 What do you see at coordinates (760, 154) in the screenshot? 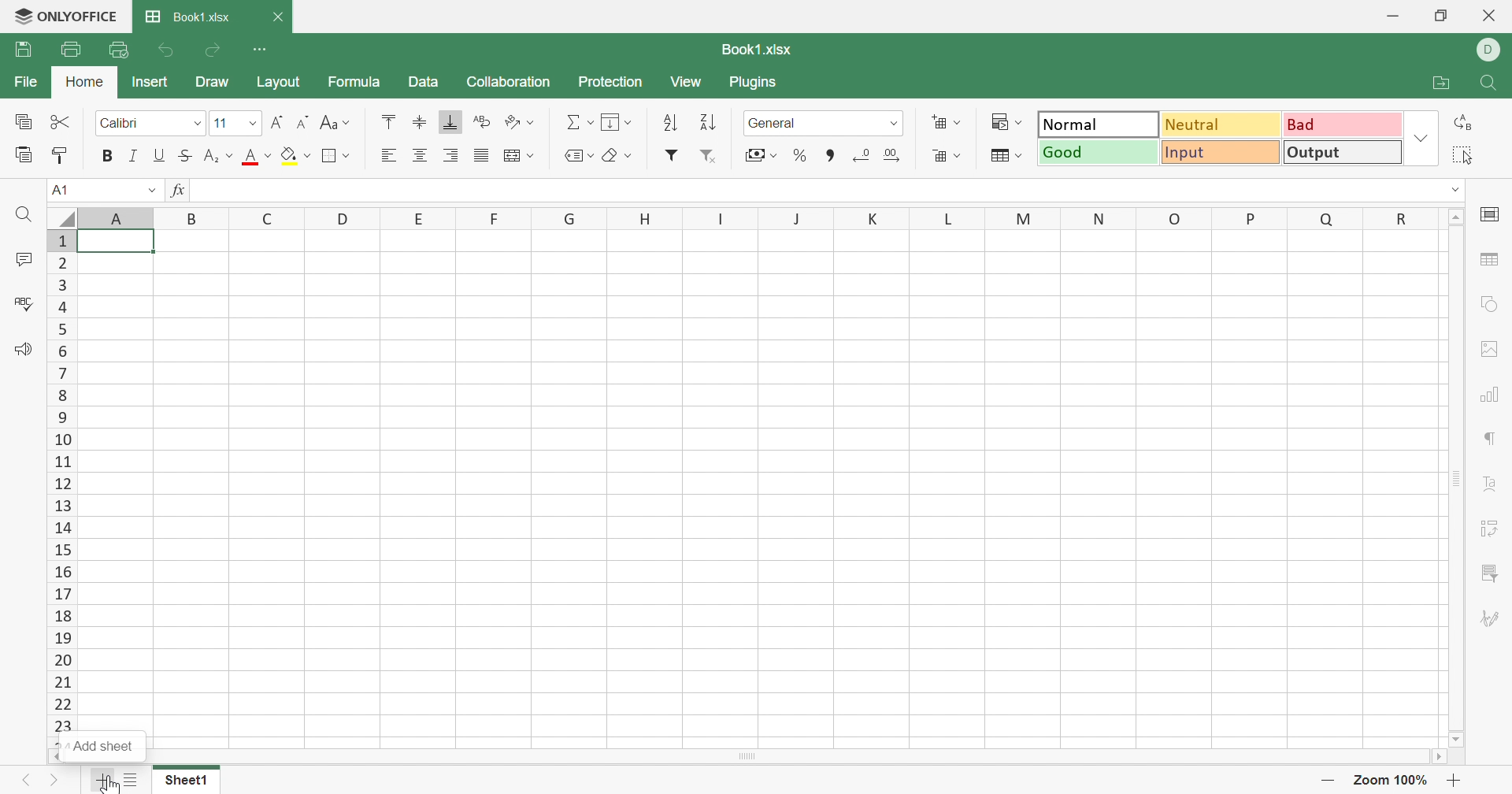
I see `Accounting style` at bounding box center [760, 154].